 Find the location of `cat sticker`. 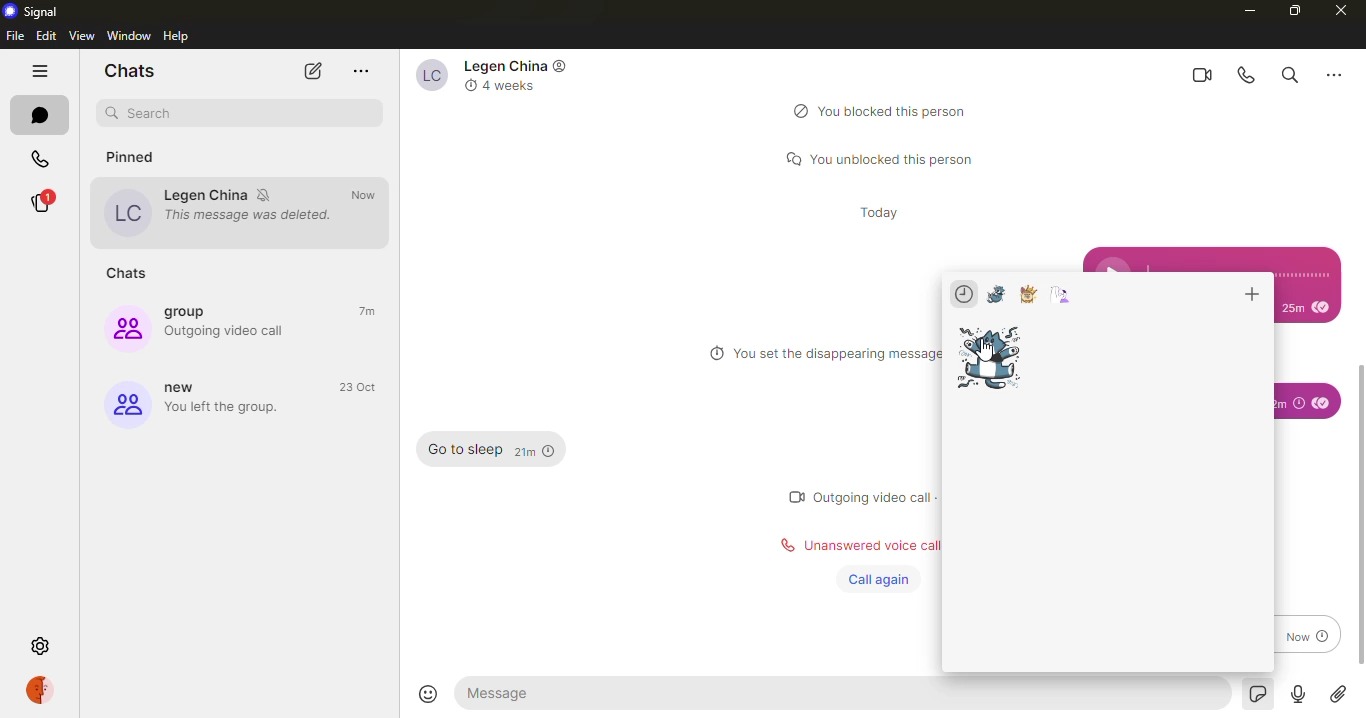

cat sticker is located at coordinates (991, 357).